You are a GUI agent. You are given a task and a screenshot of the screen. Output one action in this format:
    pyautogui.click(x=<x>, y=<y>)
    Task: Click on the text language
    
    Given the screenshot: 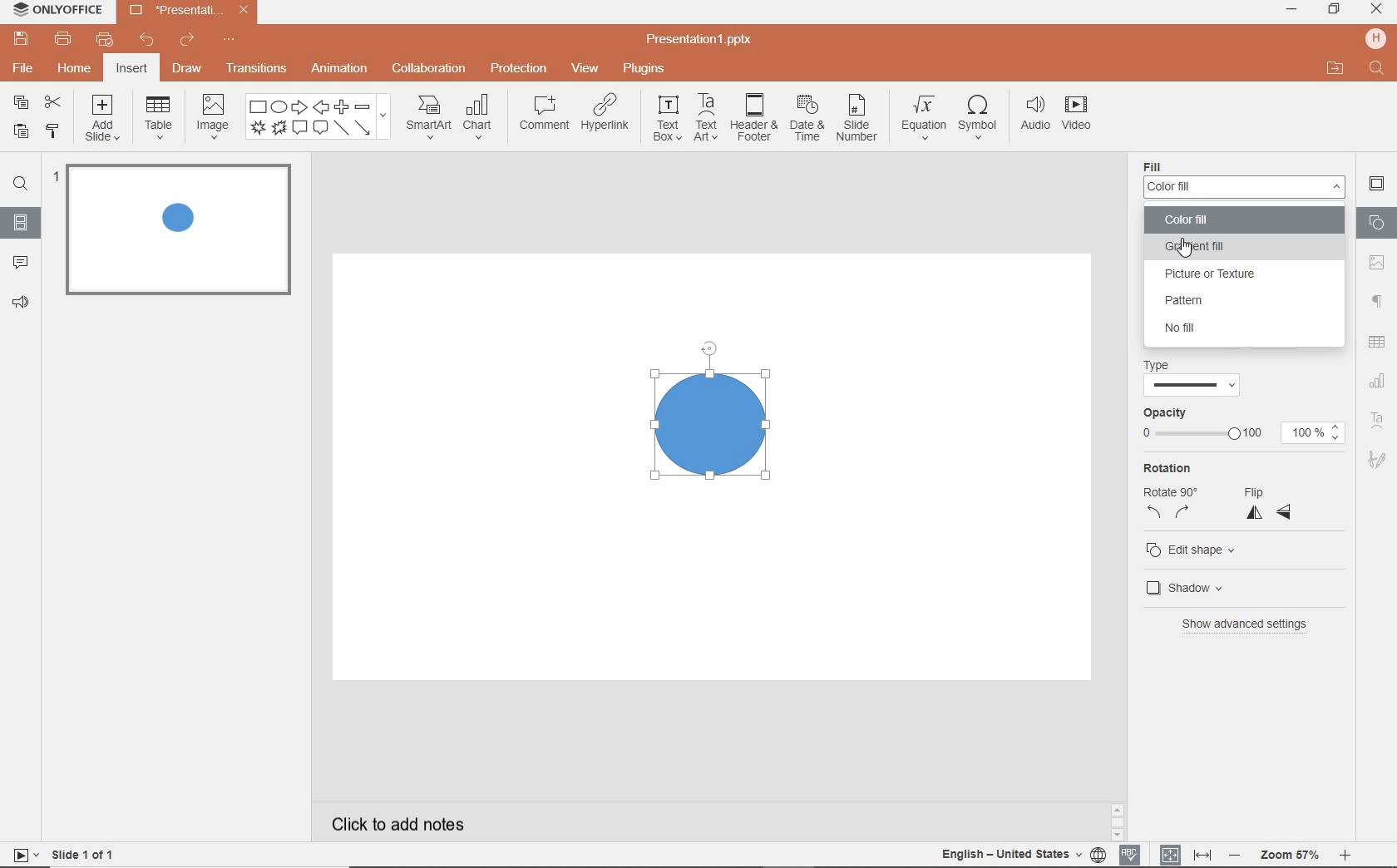 What is the action you would take?
    pyautogui.click(x=1013, y=856)
    